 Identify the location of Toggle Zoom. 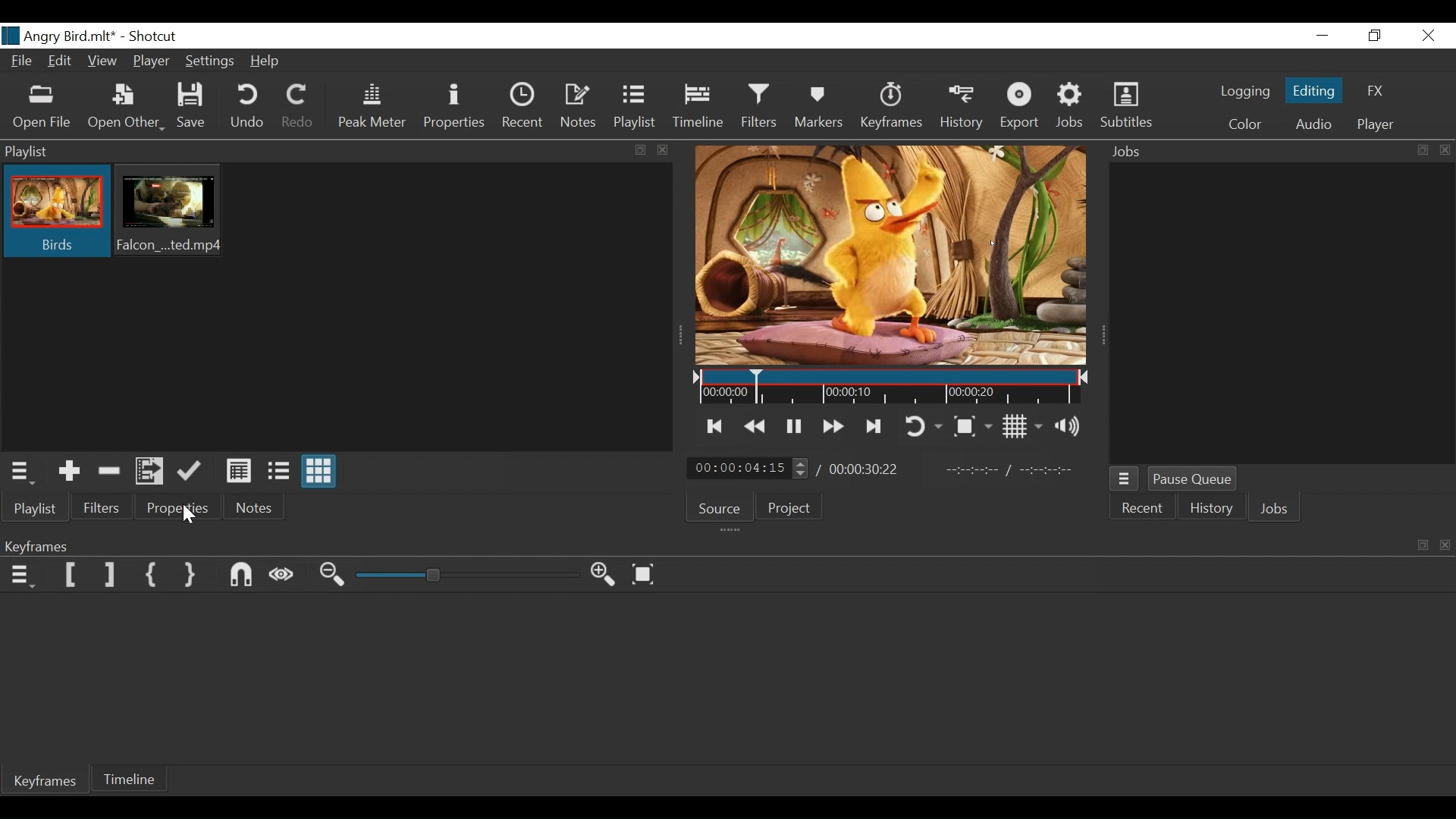
(975, 425).